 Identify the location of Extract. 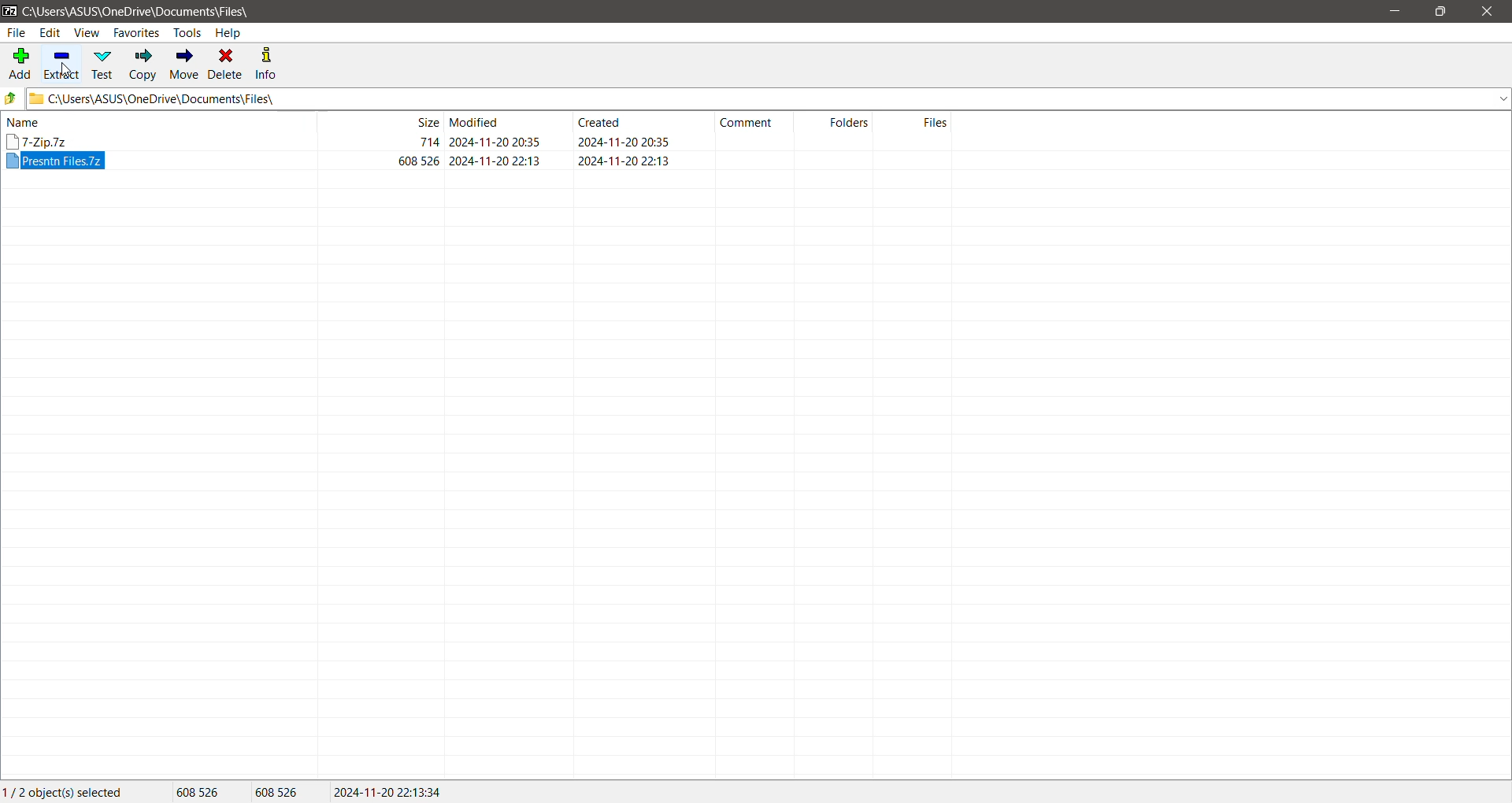
(63, 63).